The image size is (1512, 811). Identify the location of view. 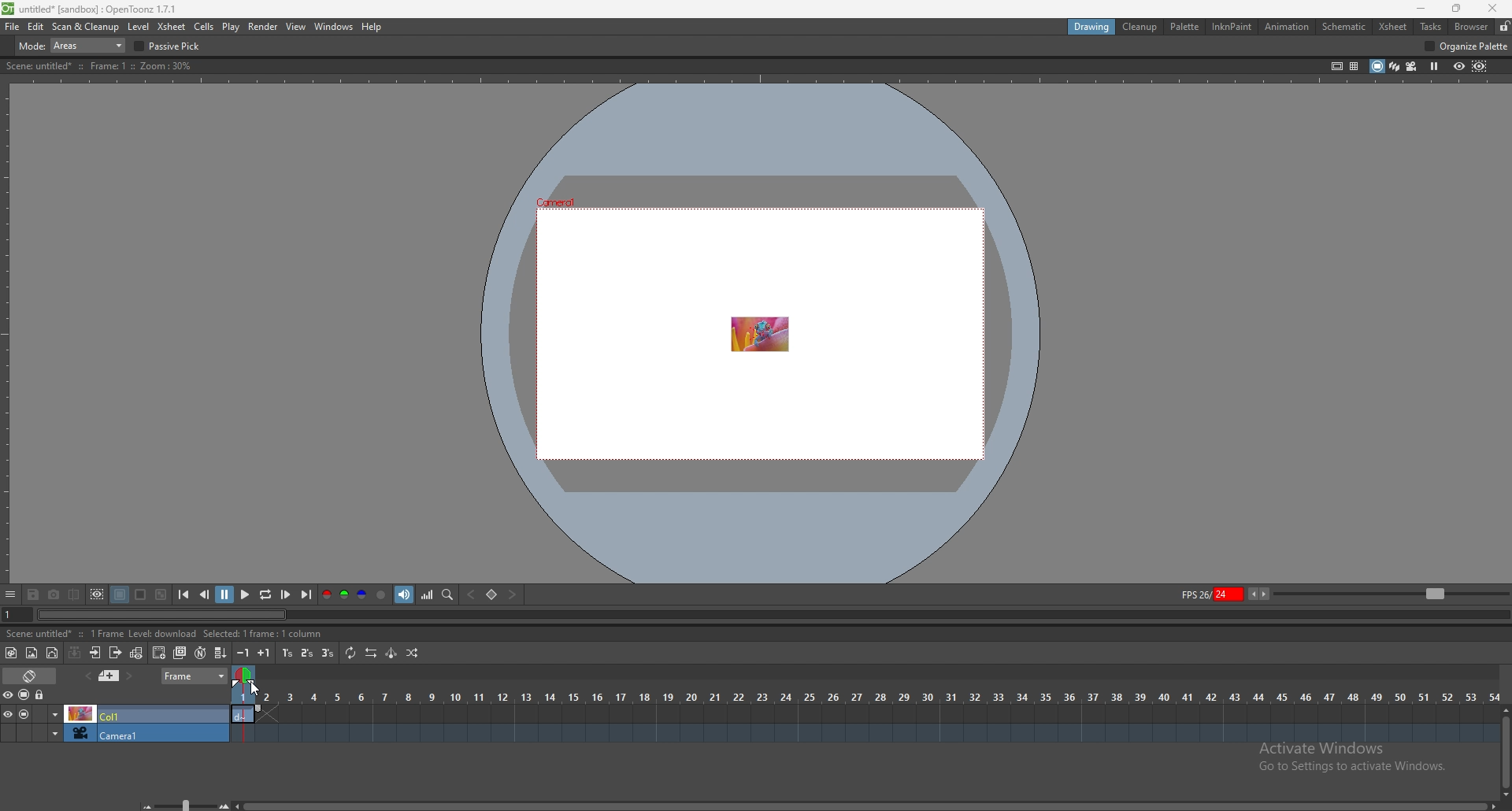
(297, 27).